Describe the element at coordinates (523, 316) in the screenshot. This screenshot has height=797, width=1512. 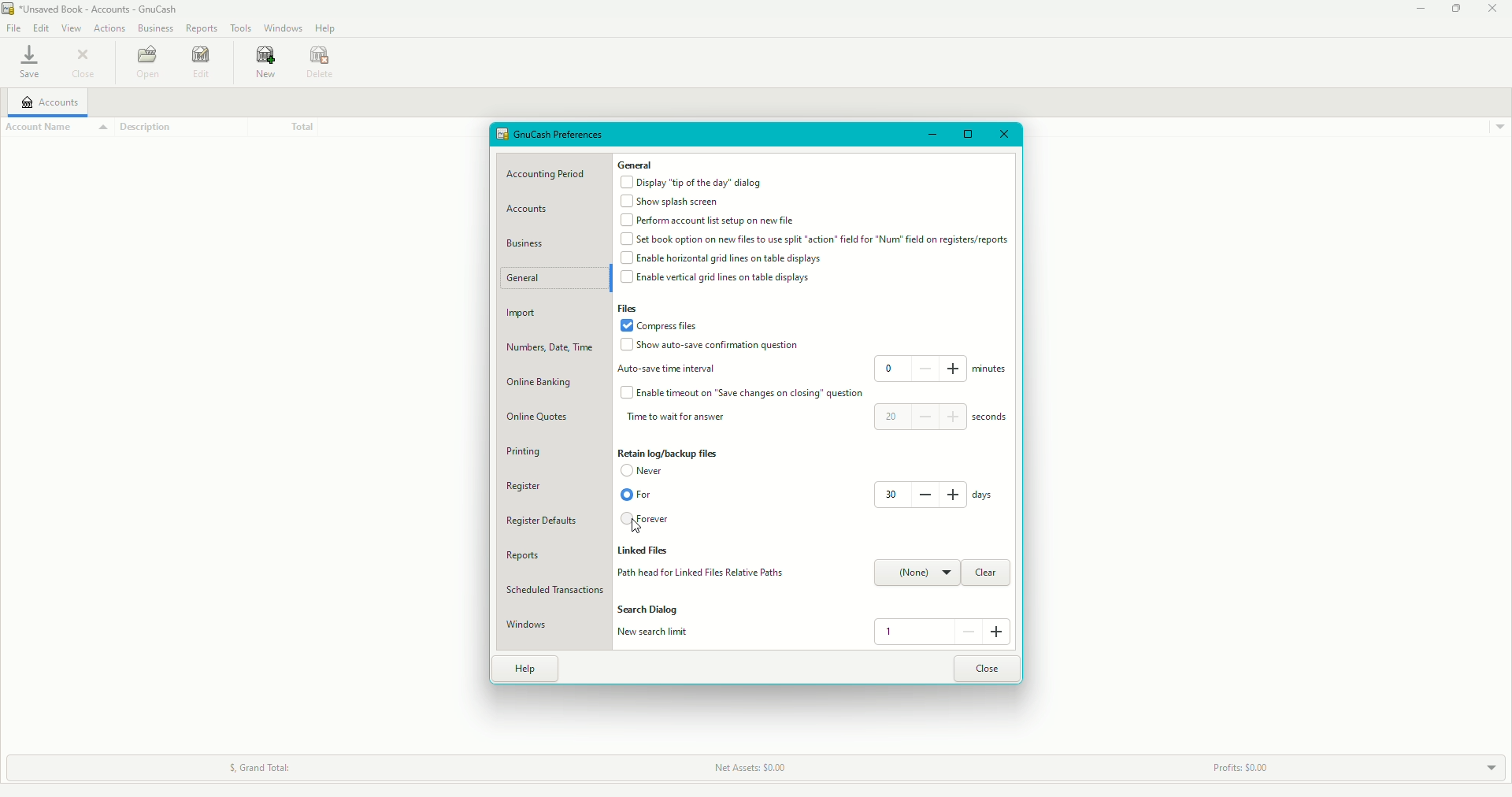
I see `Import` at that location.